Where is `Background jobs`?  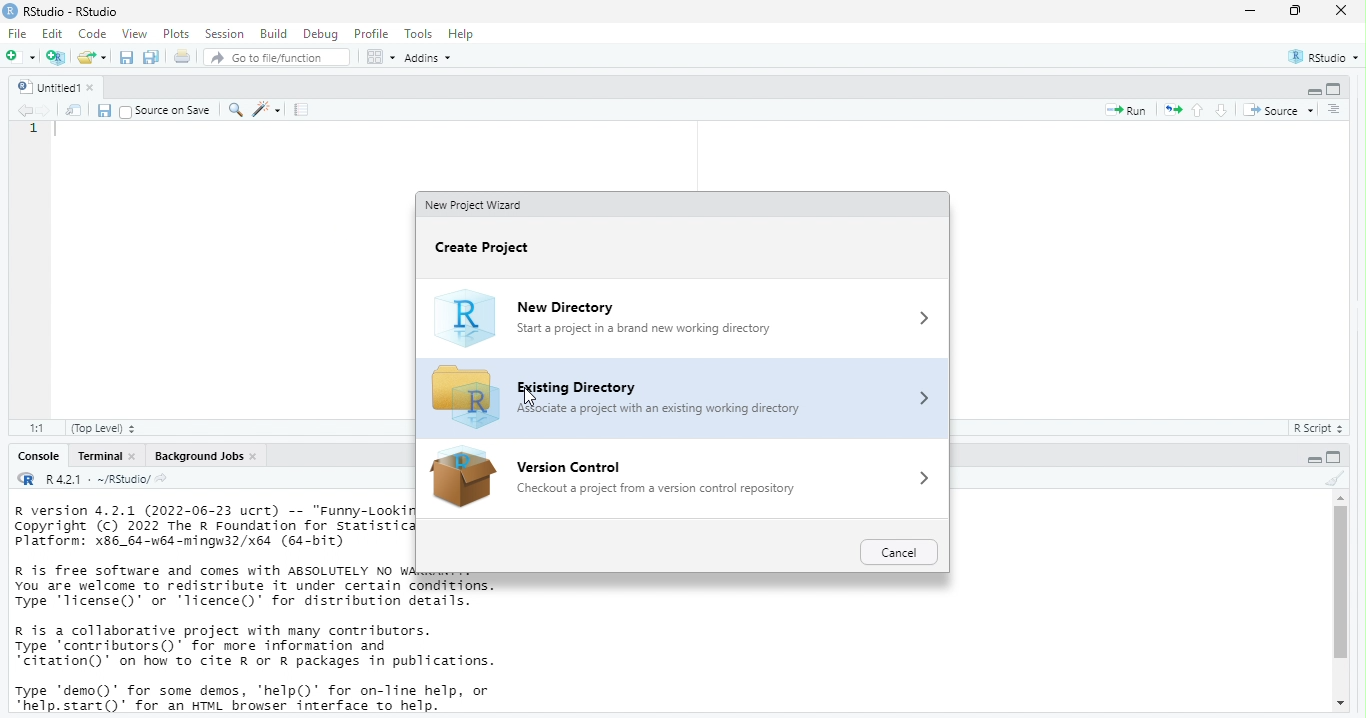
Background jobs is located at coordinates (196, 456).